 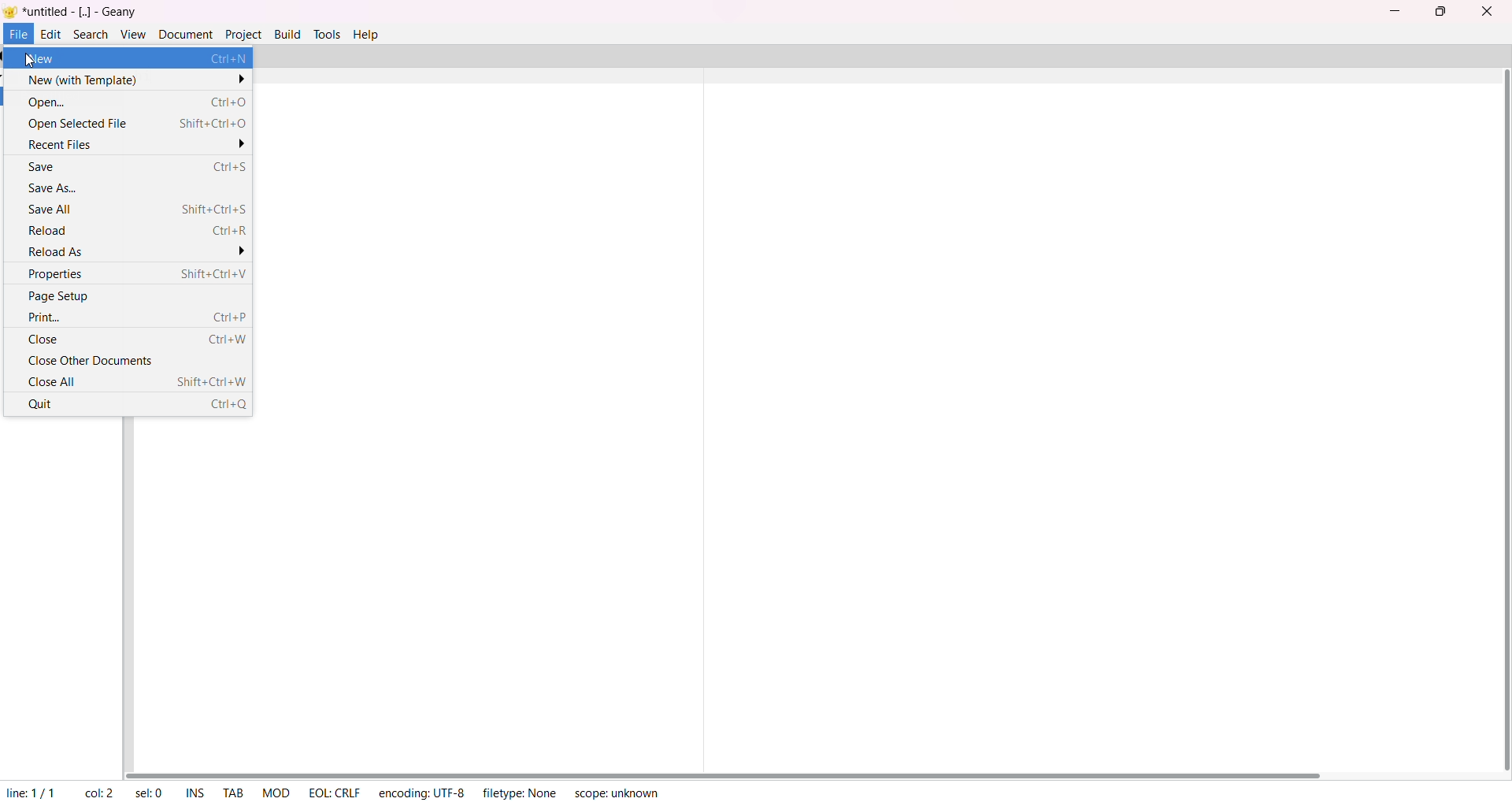 What do you see at coordinates (135, 340) in the screenshot?
I see `close     Ctrl+W` at bounding box center [135, 340].